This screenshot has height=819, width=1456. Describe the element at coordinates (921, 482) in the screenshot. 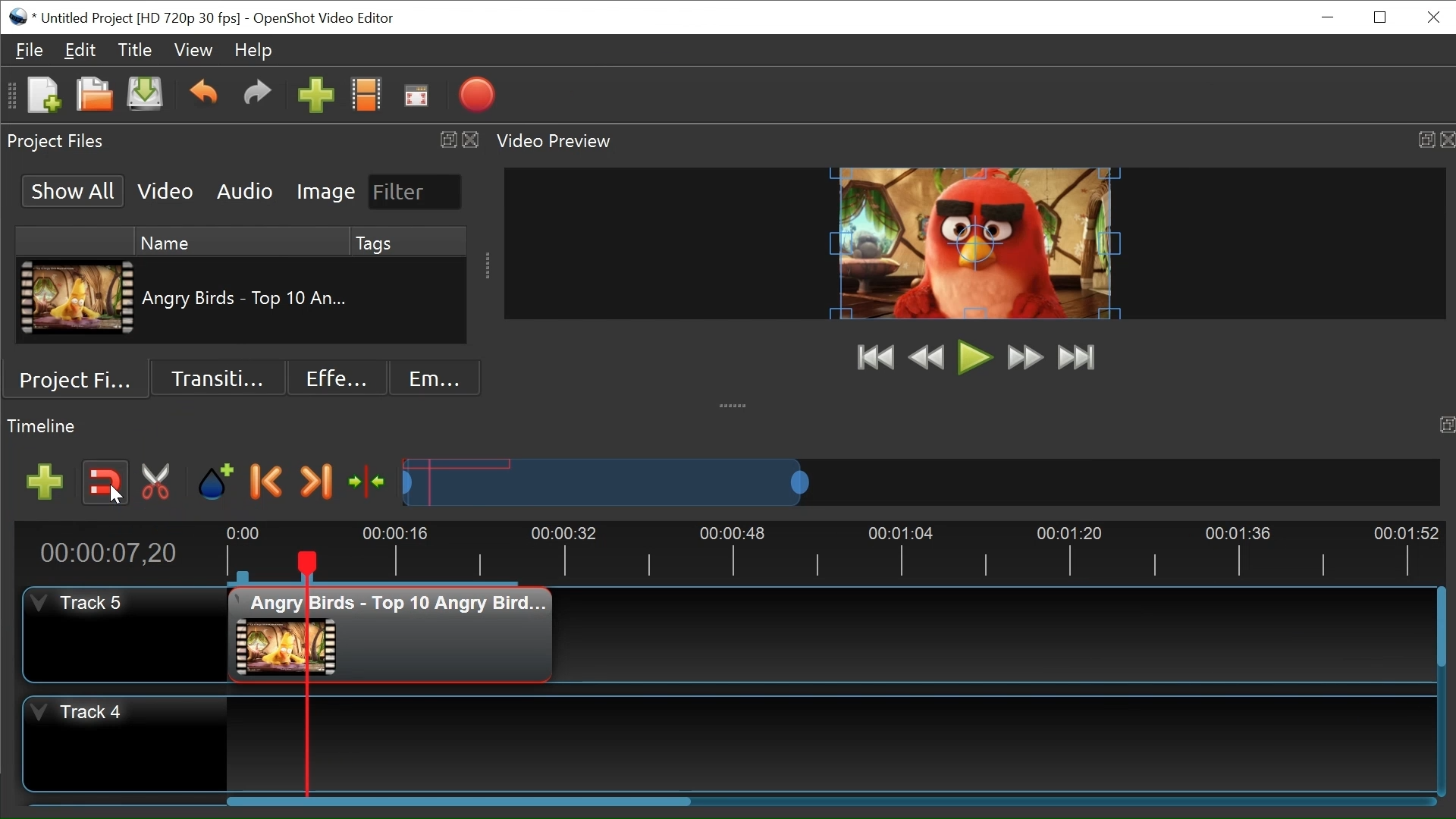

I see `Zoom slider` at that location.